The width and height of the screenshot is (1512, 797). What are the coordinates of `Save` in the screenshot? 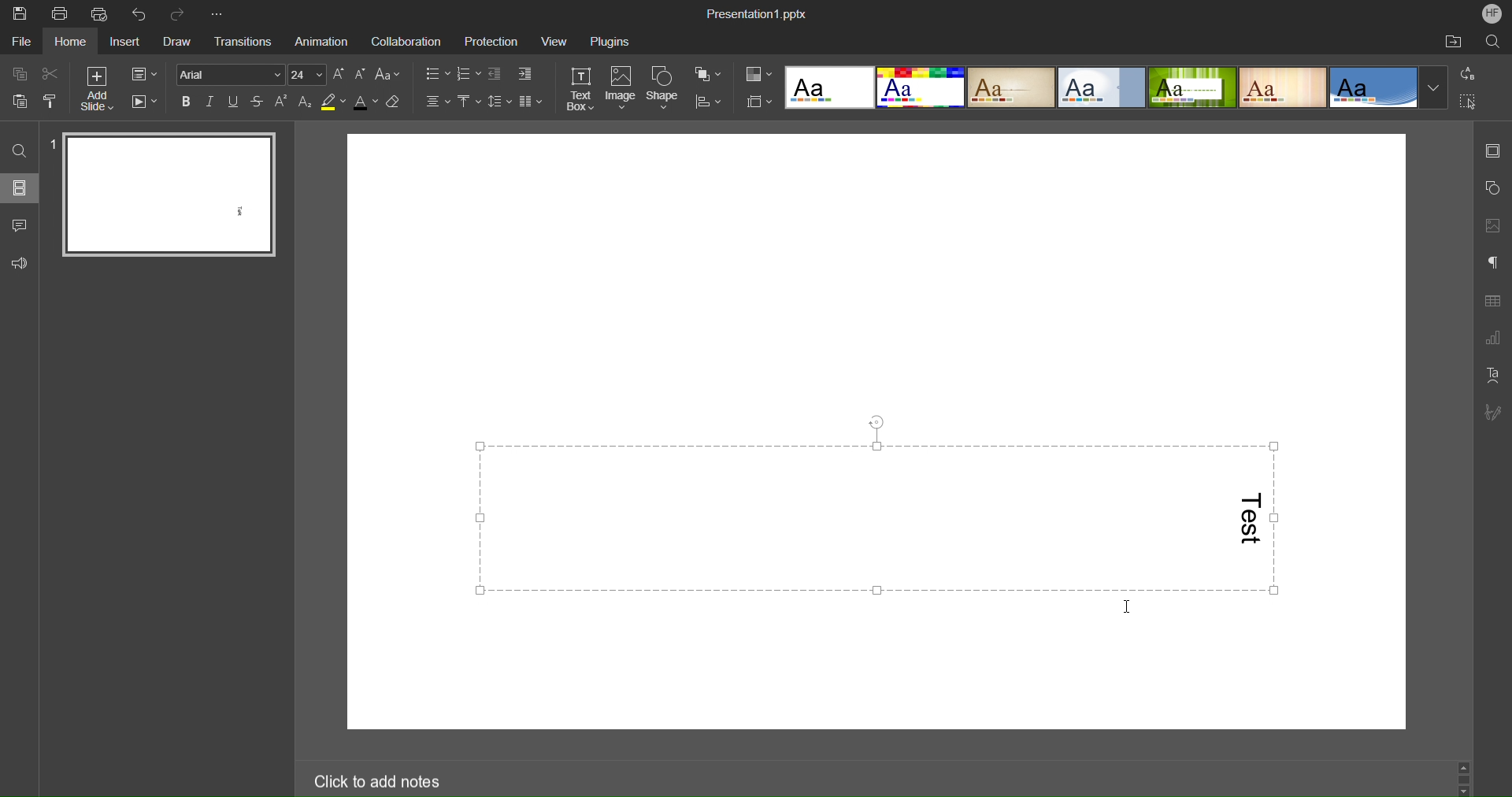 It's located at (17, 13).